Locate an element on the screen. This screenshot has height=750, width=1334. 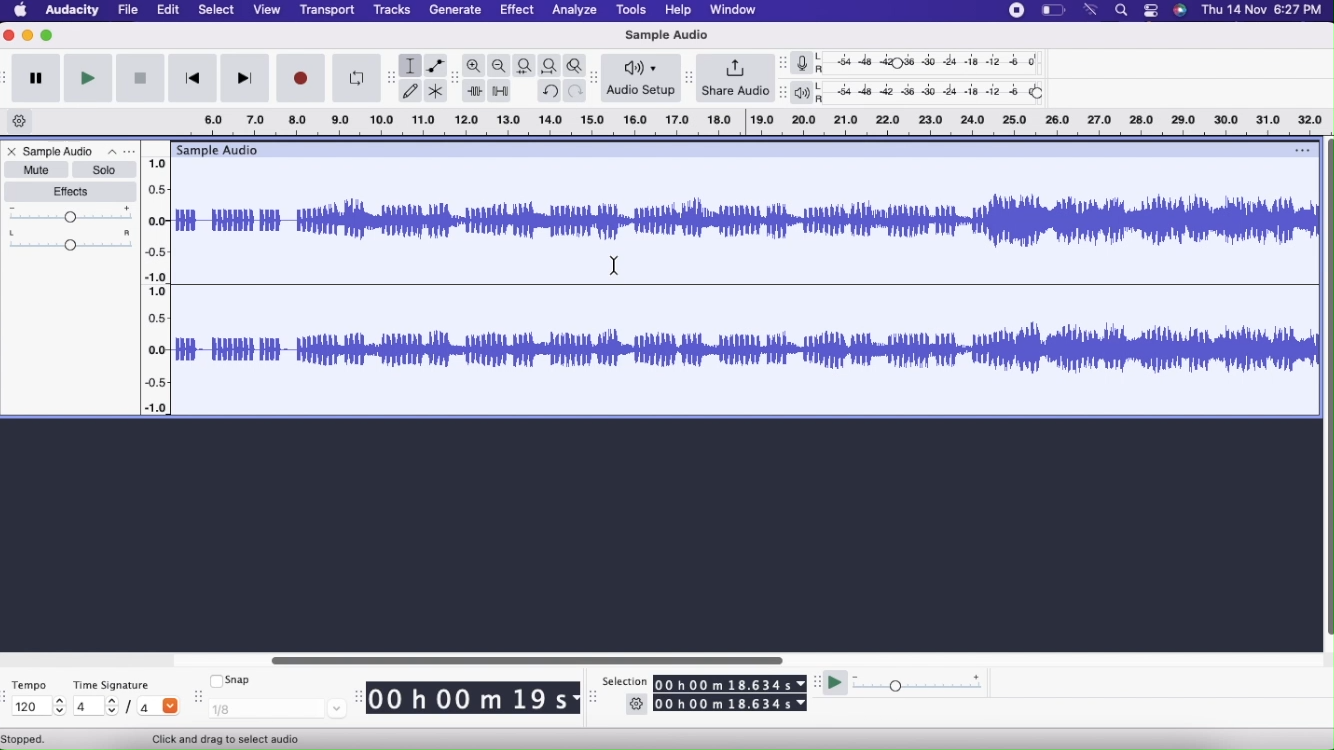
Slider is located at coordinates (533, 657).